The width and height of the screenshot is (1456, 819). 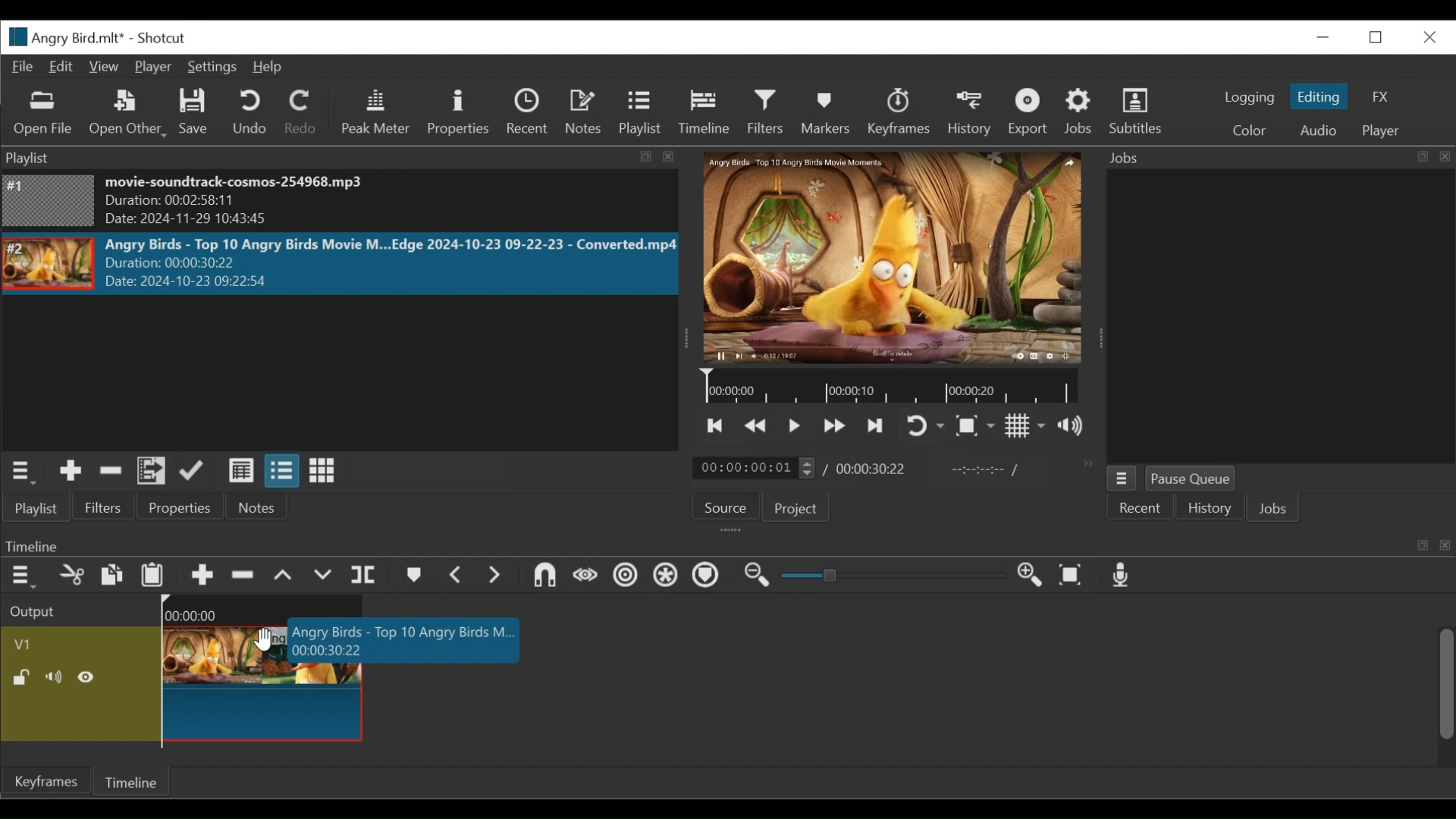 I want to click on Play quickly forward, so click(x=832, y=426).